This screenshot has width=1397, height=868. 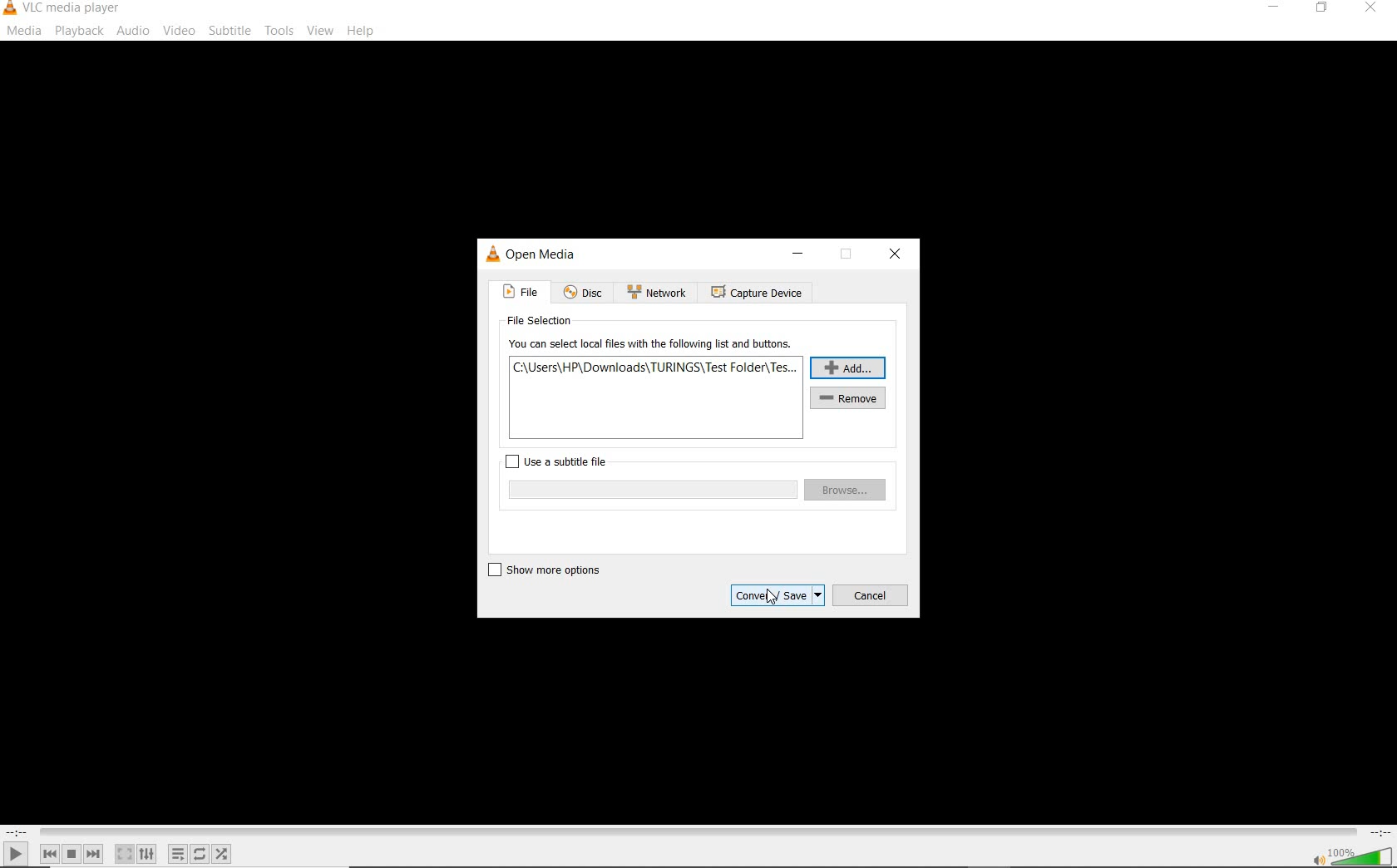 I want to click on browse input box, so click(x=650, y=490).